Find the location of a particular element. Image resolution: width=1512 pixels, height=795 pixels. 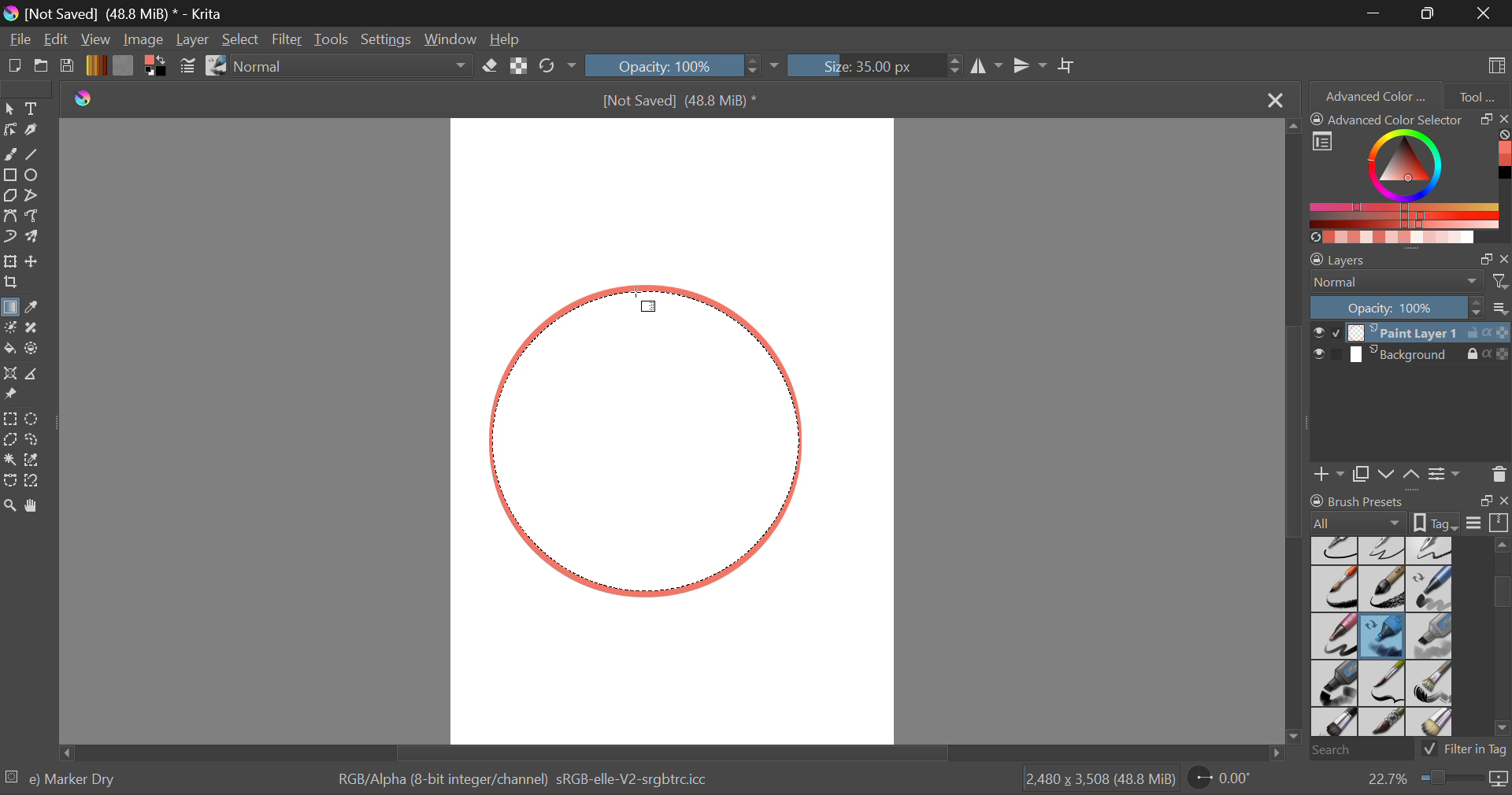

Opacity 100% is located at coordinates (672, 65).